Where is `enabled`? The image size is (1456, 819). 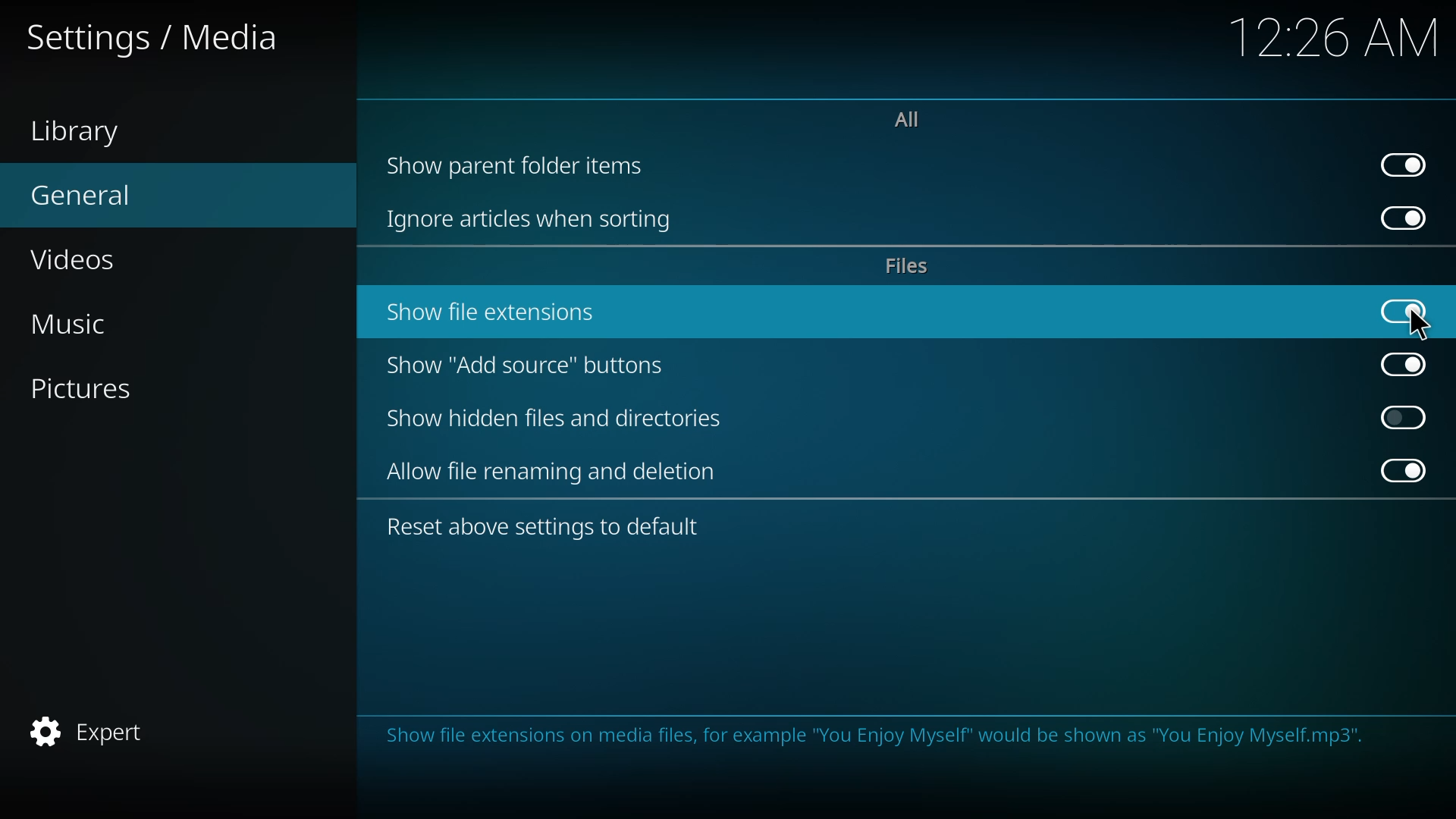
enabled is located at coordinates (1407, 218).